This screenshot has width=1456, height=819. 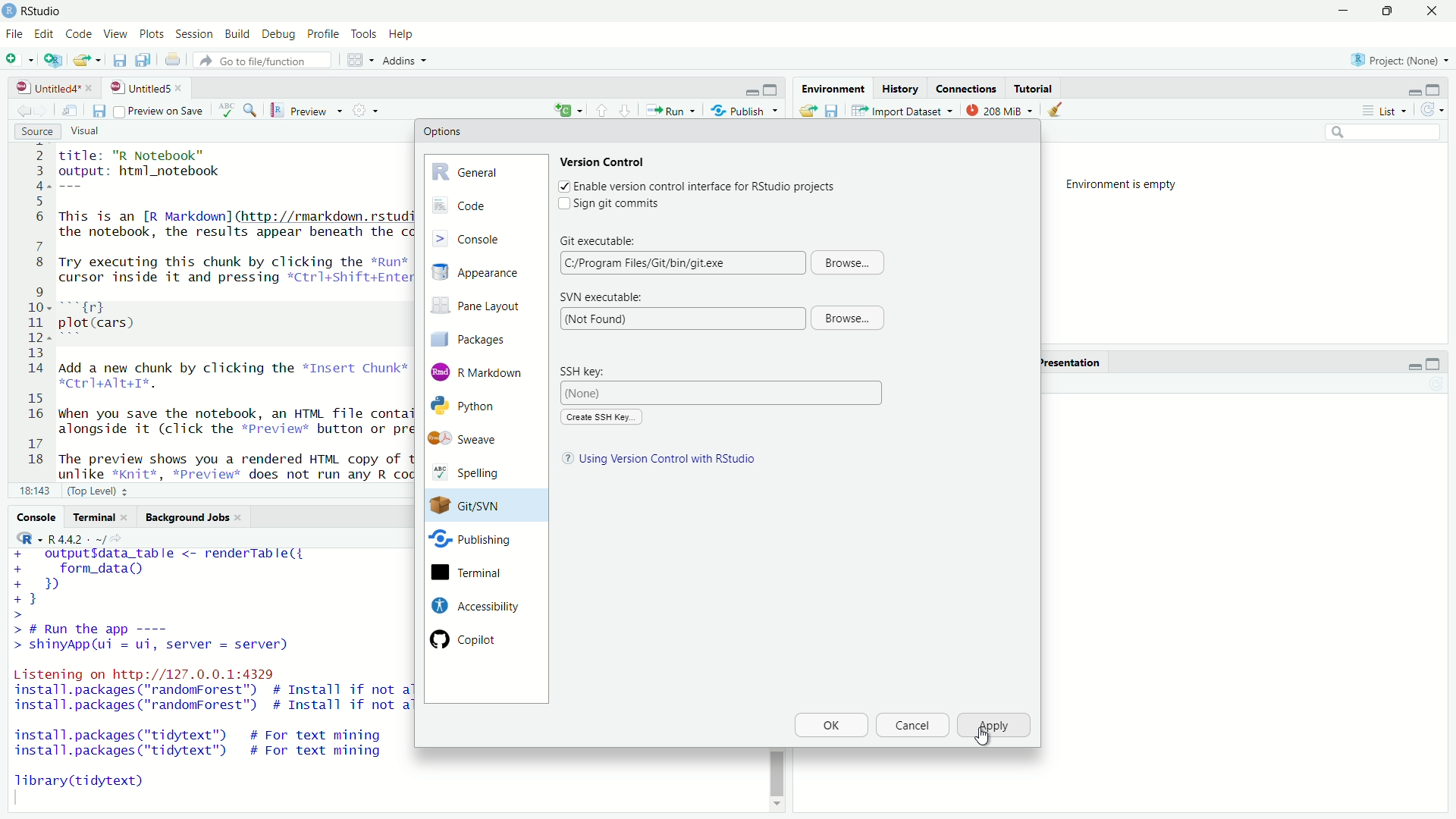 What do you see at coordinates (280, 36) in the screenshot?
I see `Debug` at bounding box center [280, 36].